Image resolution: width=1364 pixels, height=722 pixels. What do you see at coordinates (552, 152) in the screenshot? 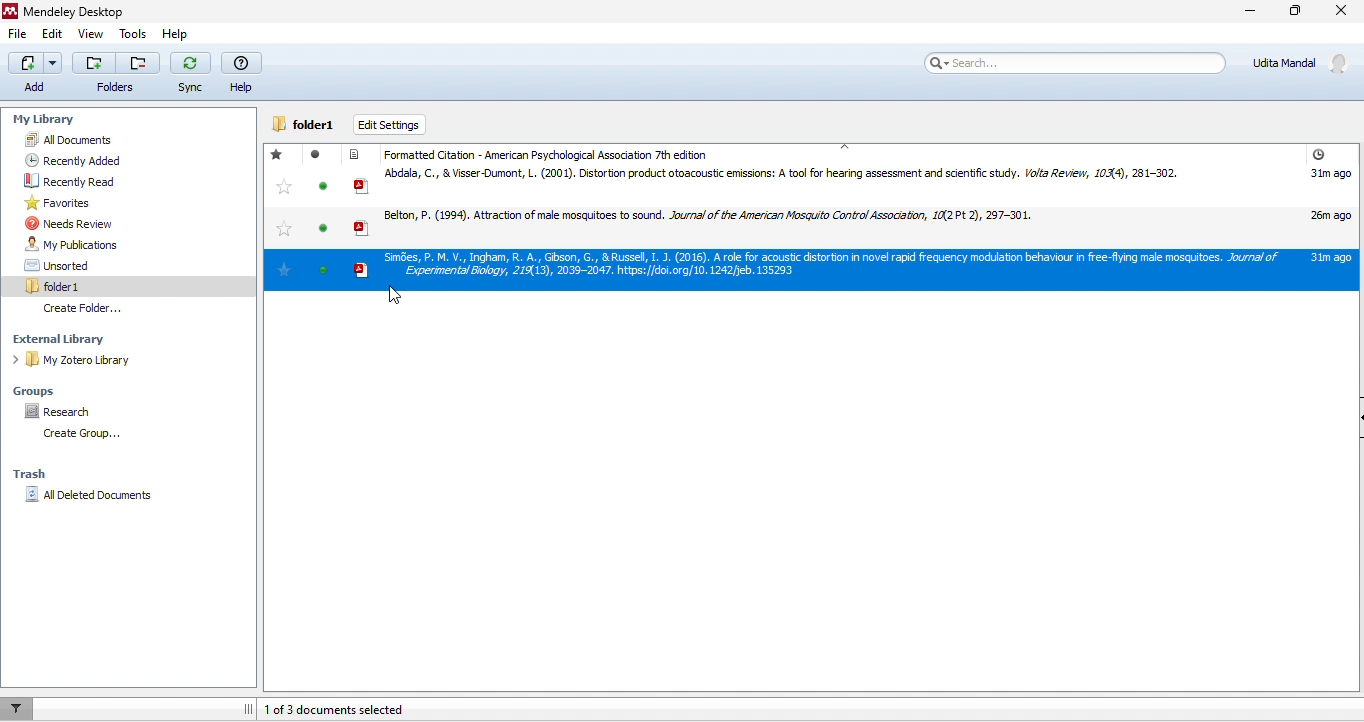
I see `formatted citation APA 7 th` at bounding box center [552, 152].